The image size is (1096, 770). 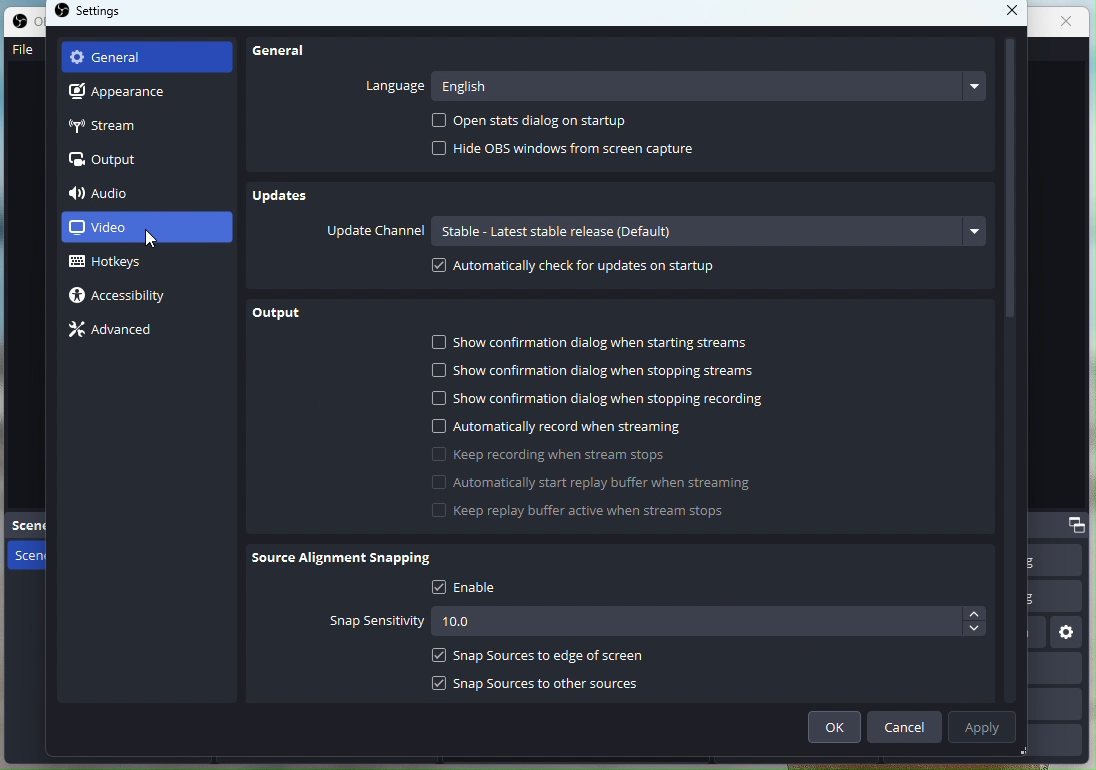 I want to click on more channels, so click(x=975, y=233).